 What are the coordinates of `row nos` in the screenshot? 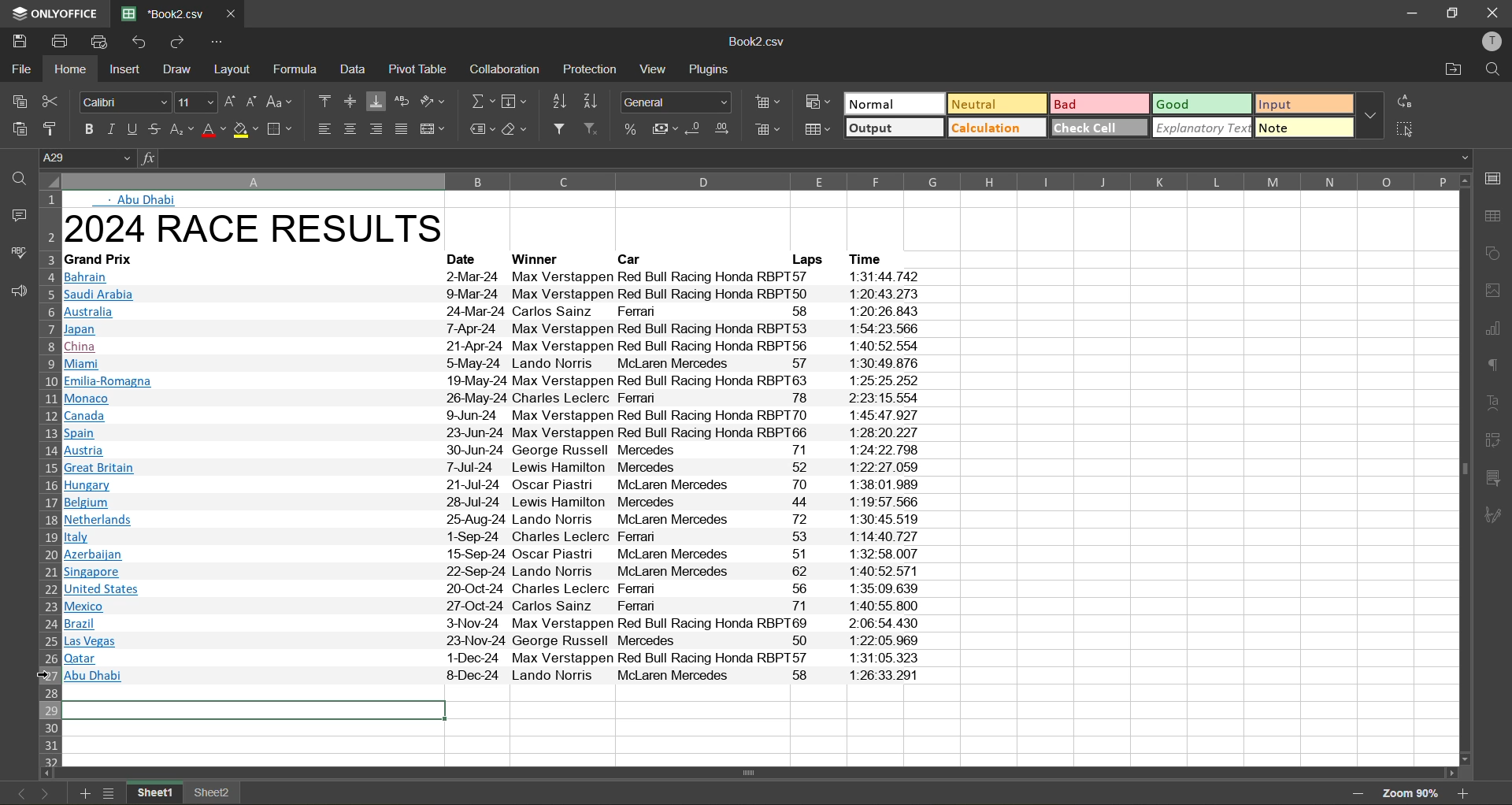 It's located at (48, 477).